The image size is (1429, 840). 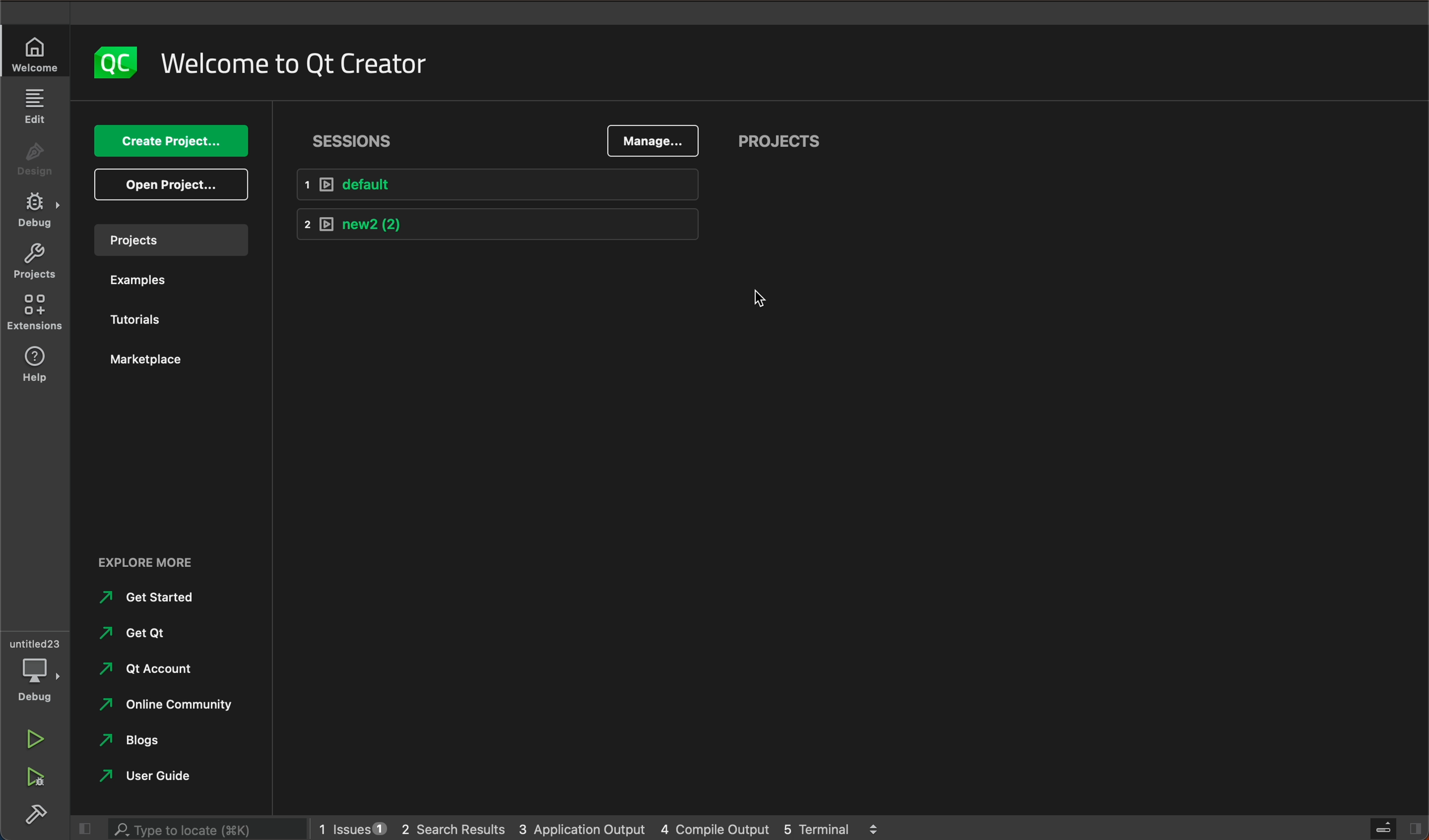 What do you see at coordinates (146, 671) in the screenshot?
I see `qt account` at bounding box center [146, 671].